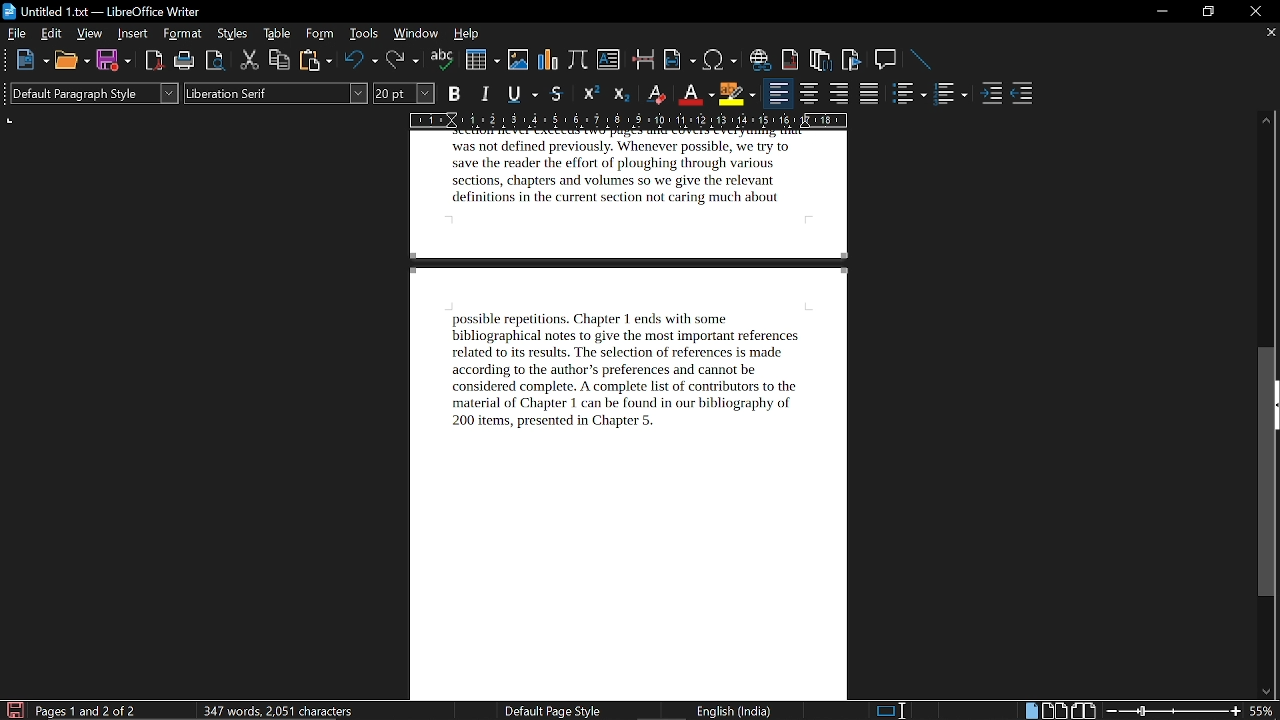 This screenshot has height=720, width=1280. What do you see at coordinates (1268, 117) in the screenshot?
I see `move up` at bounding box center [1268, 117].